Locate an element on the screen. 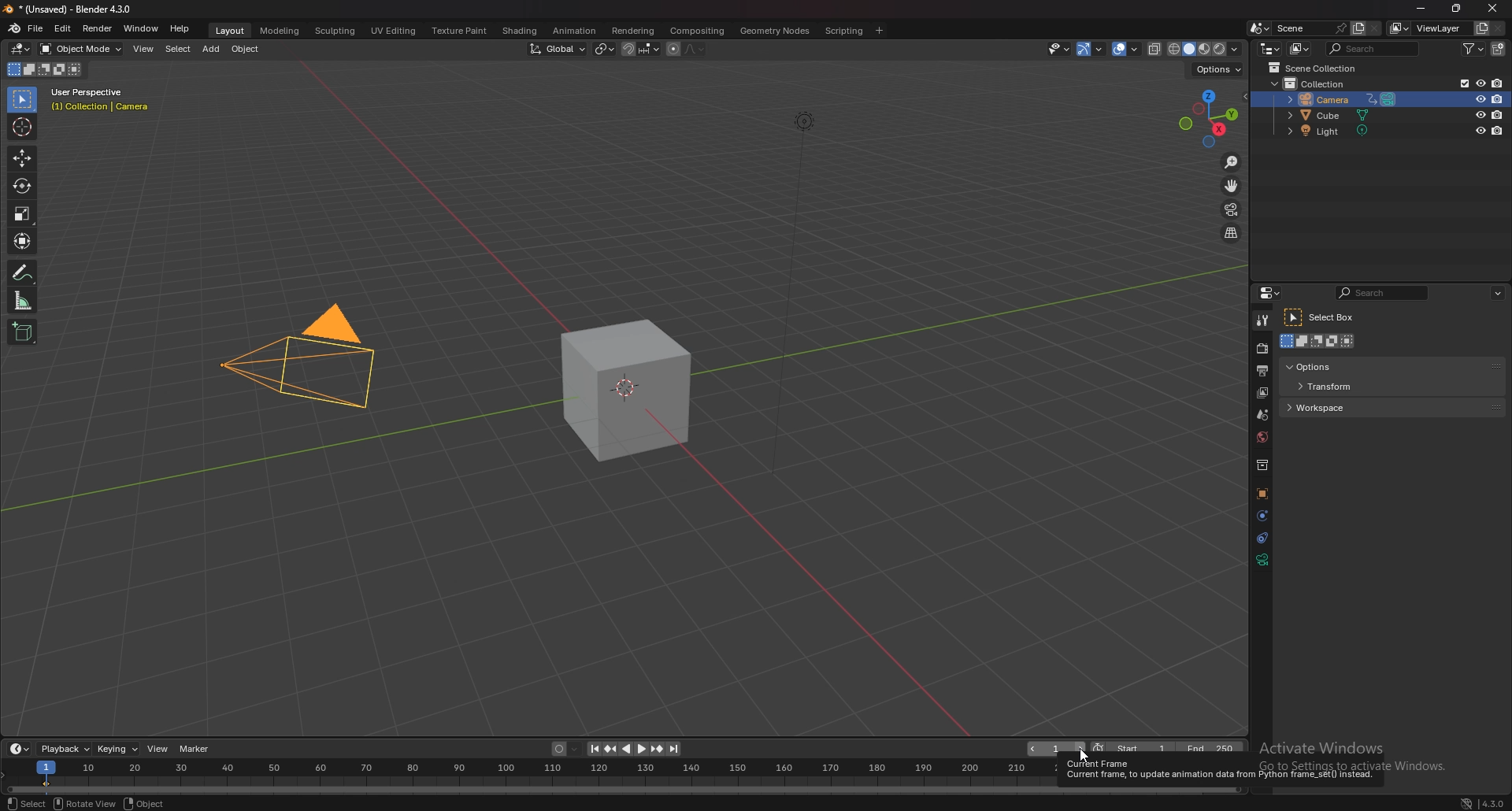 This screenshot has width=1512, height=811. texture paint is located at coordinates (460, 31).